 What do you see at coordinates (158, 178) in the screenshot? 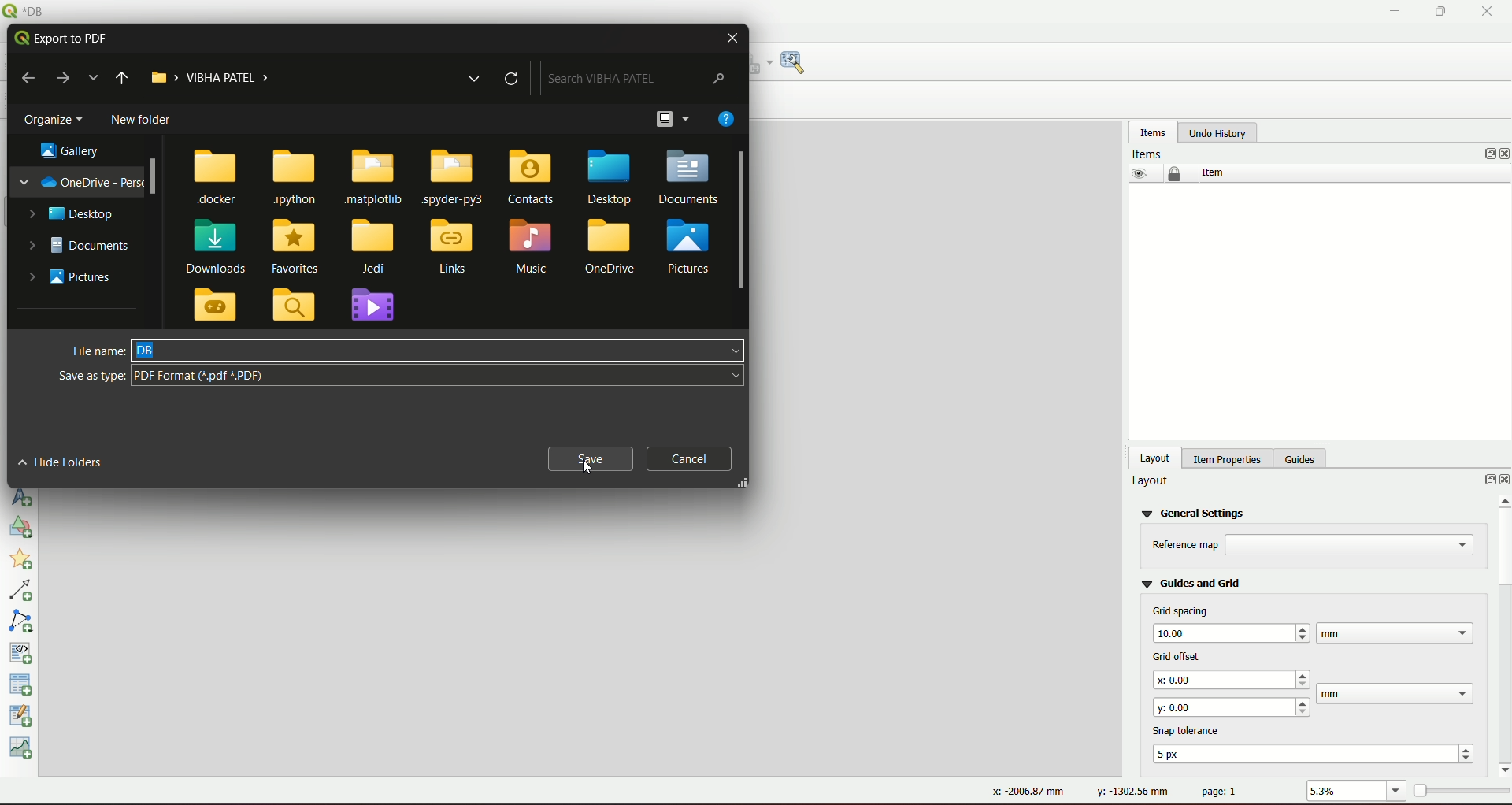
I see `scroll` at bounding box center [158, 178].